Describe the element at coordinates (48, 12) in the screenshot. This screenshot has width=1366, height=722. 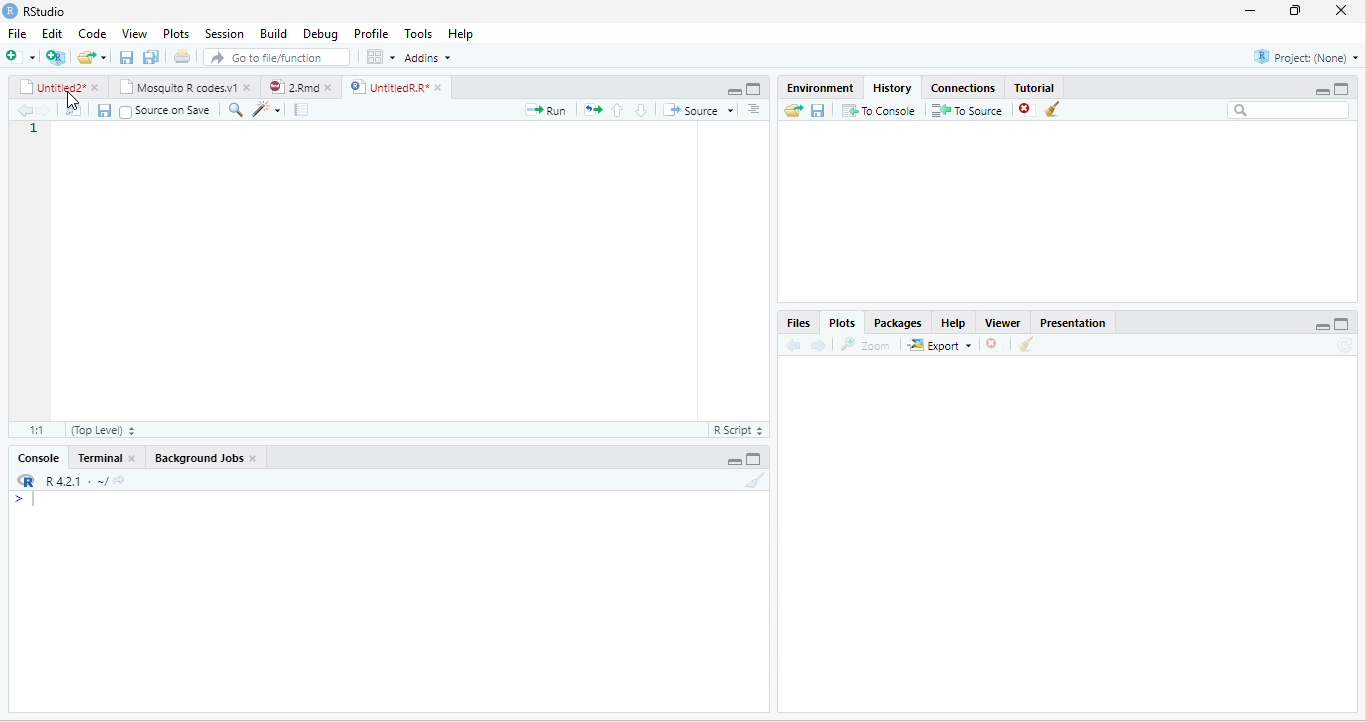
I see `RStudio` at that location.